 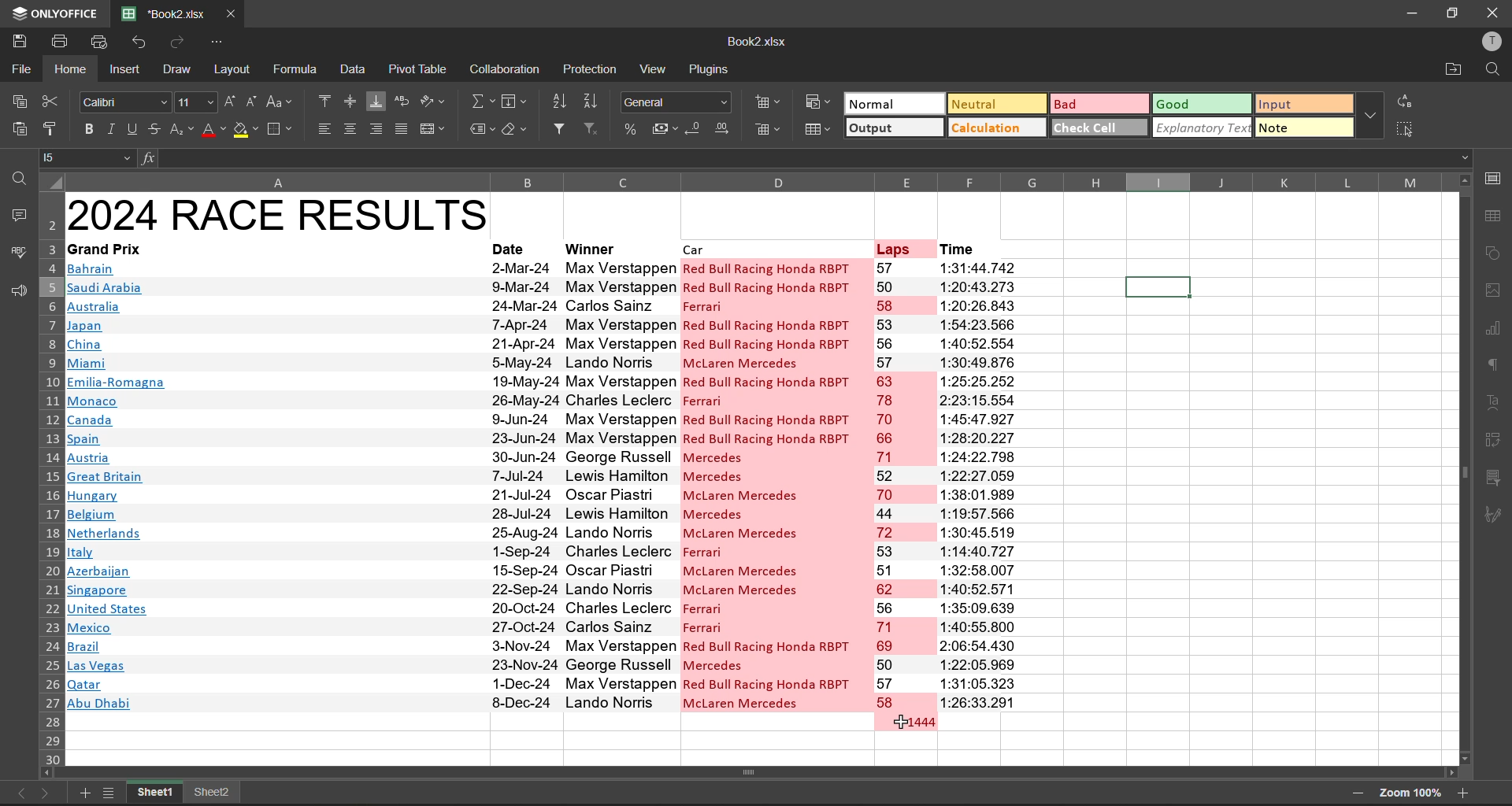 What do you see at coordinates (591, 250) in the screenshot?
I see `winner` at bounding box center [591, 250].